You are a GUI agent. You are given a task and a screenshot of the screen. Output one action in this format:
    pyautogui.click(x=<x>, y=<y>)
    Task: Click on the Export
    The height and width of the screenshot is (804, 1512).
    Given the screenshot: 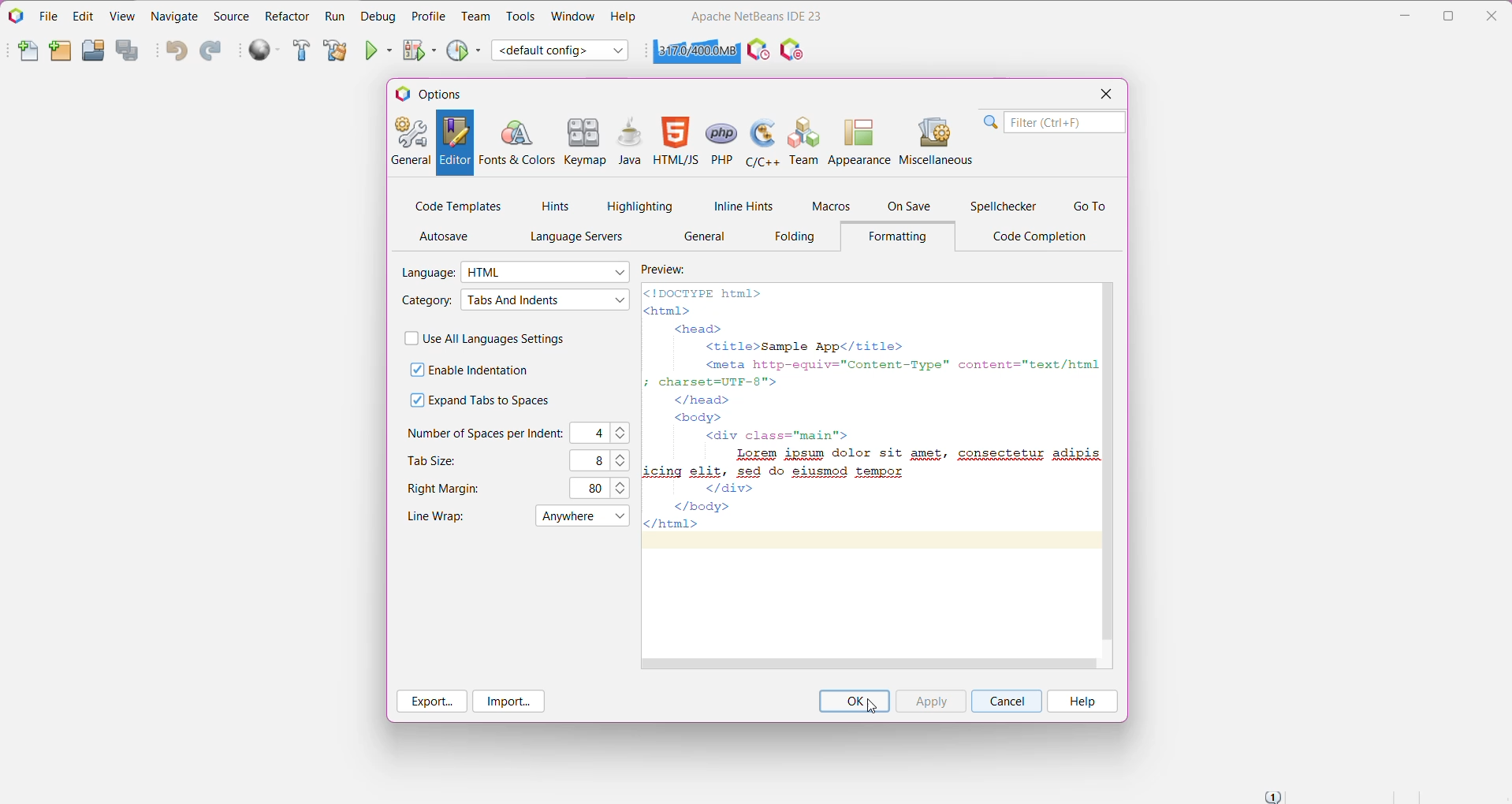 What is the action you would take?
    pyautogui.click(x=433, y=702)
    